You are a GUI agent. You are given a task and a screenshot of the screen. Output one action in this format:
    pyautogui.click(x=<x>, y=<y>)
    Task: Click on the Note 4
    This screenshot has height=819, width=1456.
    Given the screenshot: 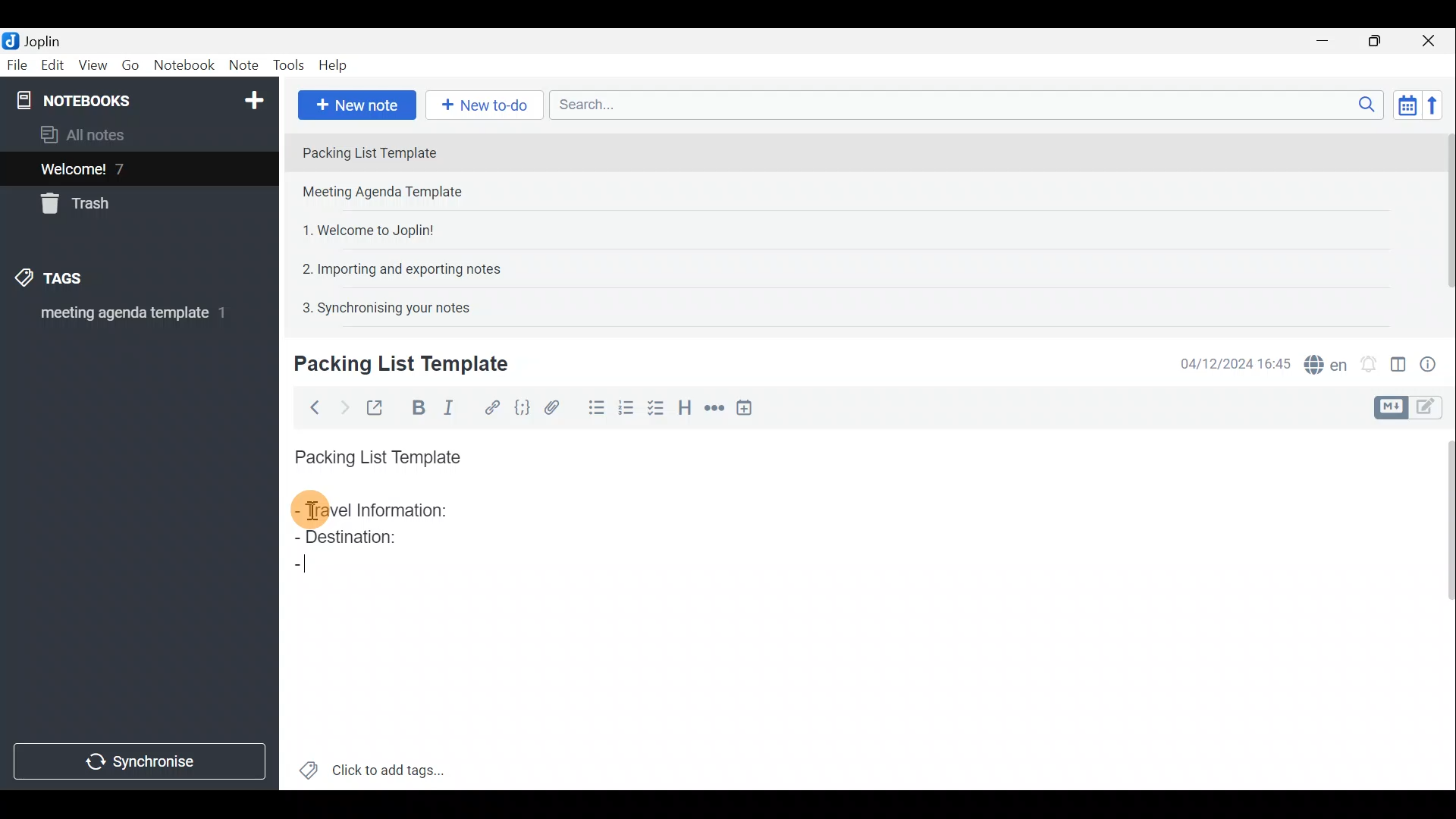 What is the action you would take?
    pyautogui.click(x=394, y=266)
    